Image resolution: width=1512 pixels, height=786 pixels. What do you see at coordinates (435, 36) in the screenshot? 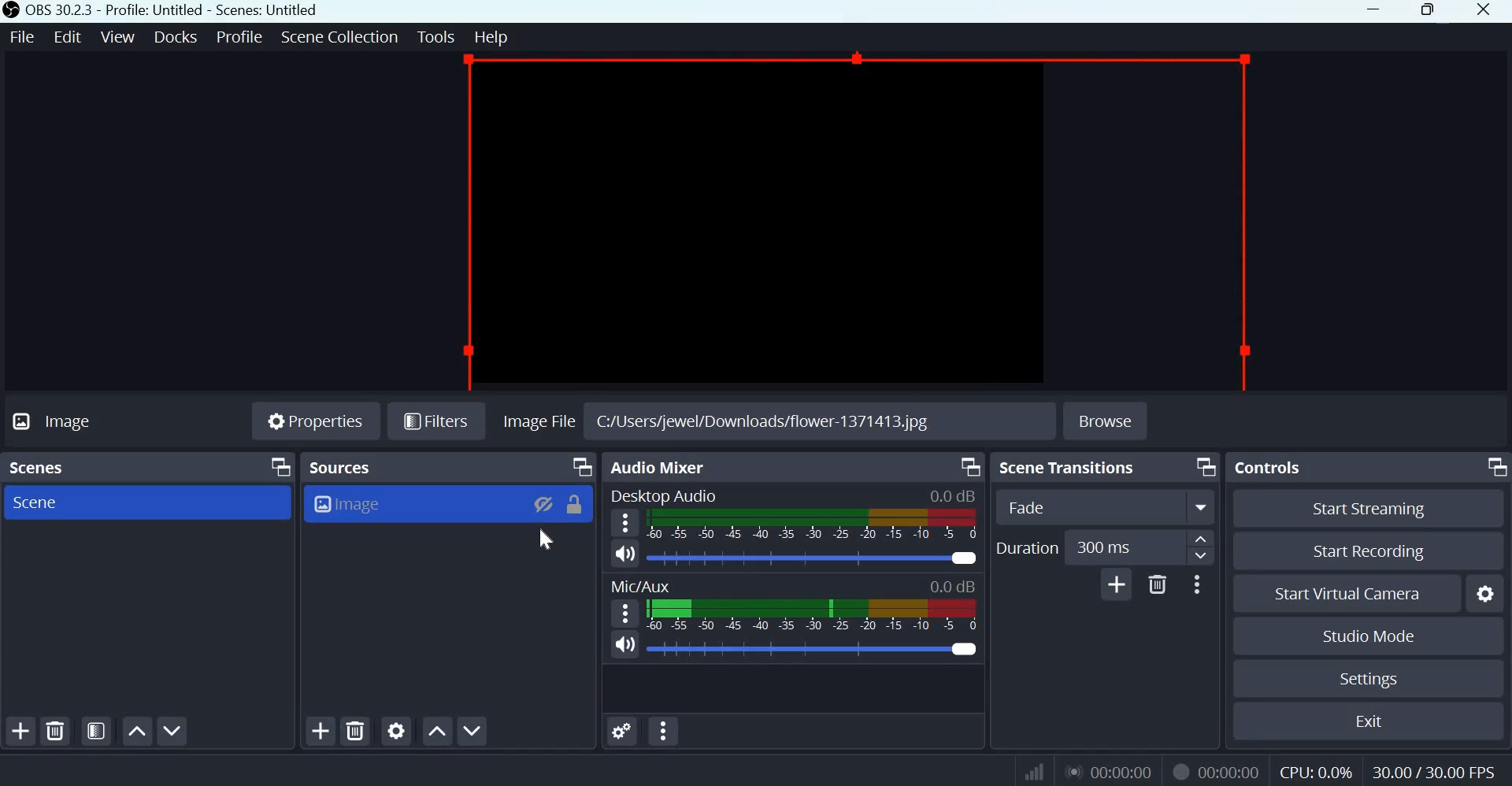
I see `Tools` at bounding box center [435, 36].